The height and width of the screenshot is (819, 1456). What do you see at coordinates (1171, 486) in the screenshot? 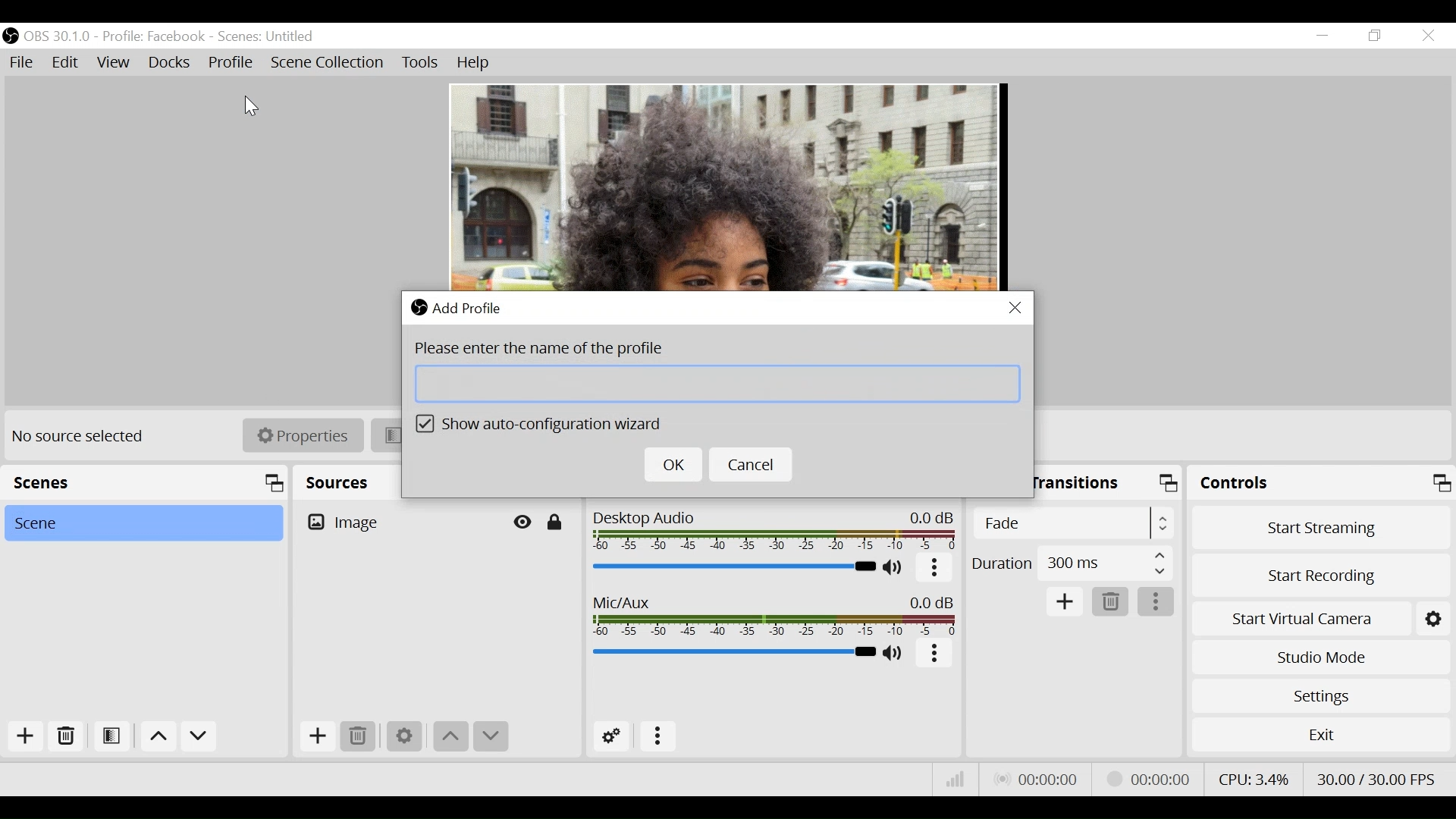
I see `Maximize` at bounding box center [1171, 486].